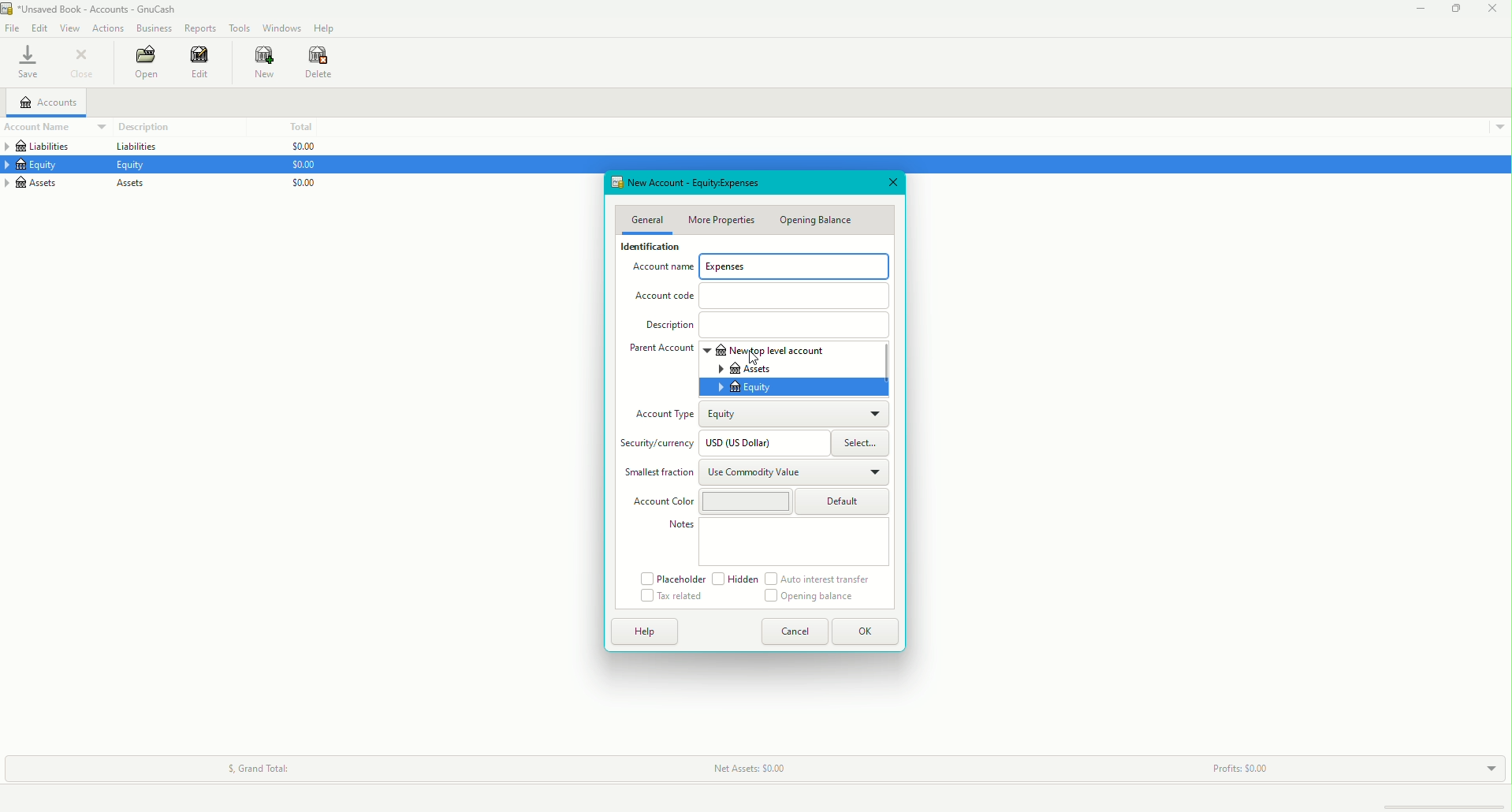 This screenshot has width=1512, height=812. Describe the element at coordinates (12, 28) in the screenshot. I see `File` at that location.